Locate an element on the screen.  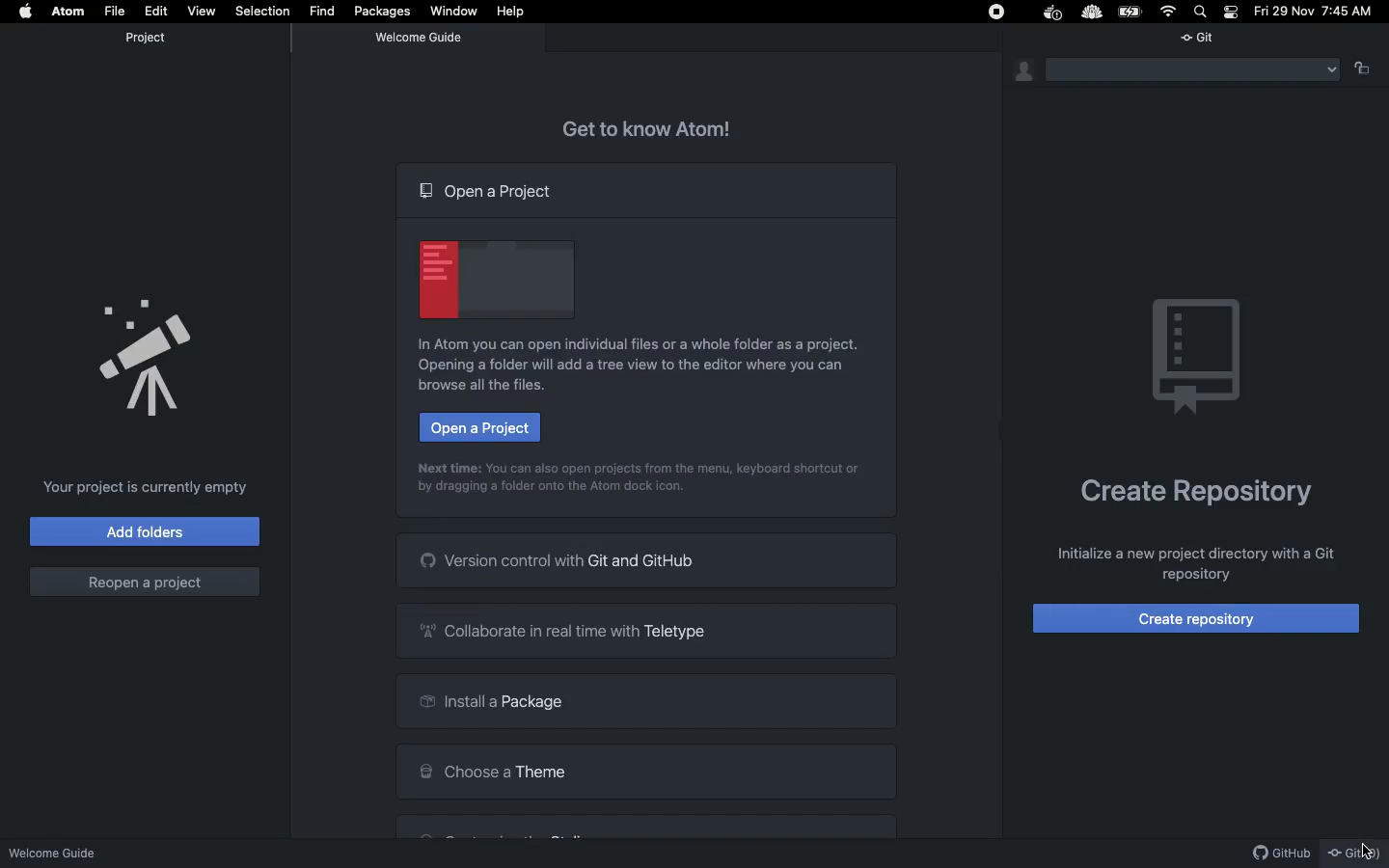
Open a project is located at coordinates (481, 428).